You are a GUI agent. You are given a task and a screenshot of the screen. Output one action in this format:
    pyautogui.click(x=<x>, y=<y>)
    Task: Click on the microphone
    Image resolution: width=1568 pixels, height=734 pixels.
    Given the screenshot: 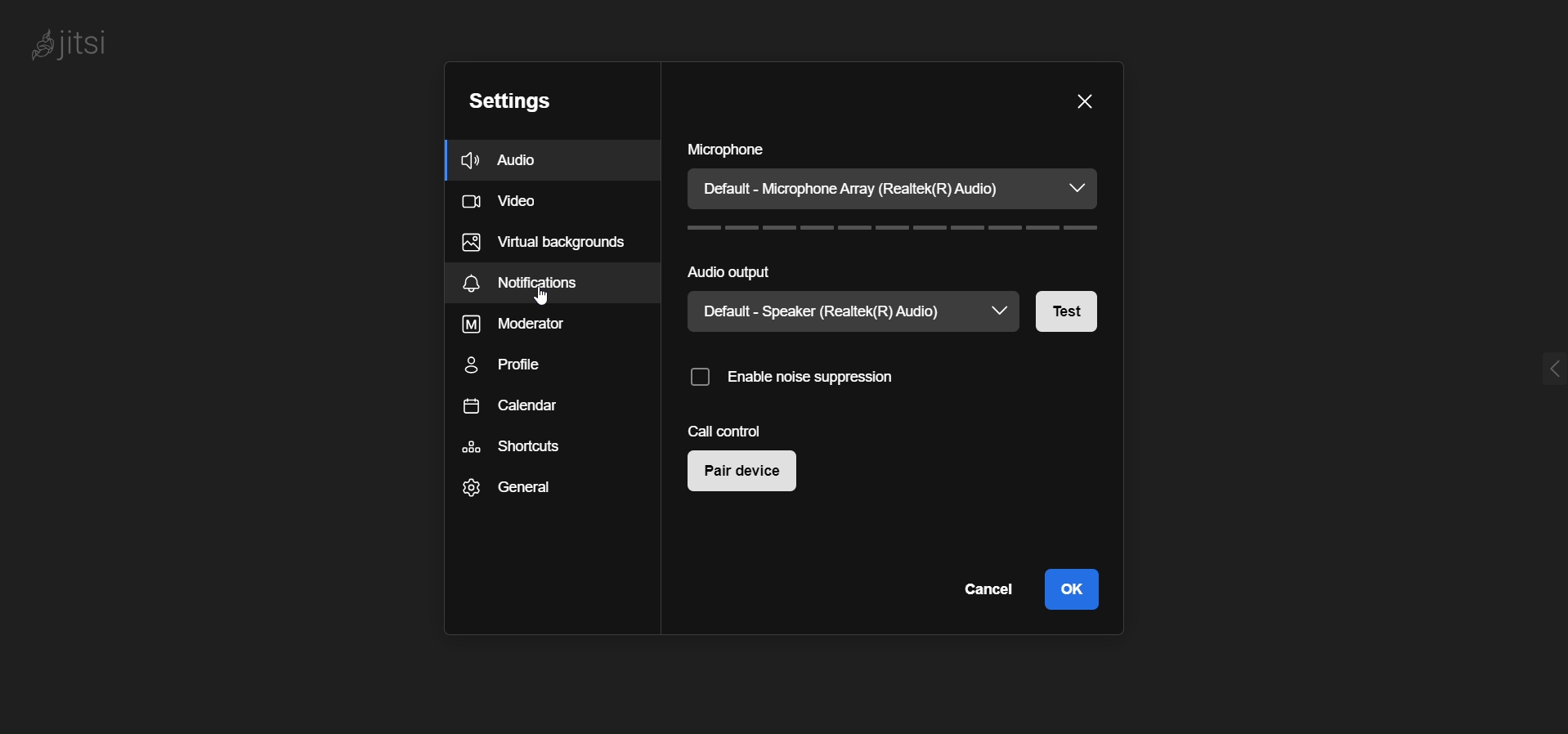 What is the action you would take?
    pyautogui.click(x=725, y=145)
    